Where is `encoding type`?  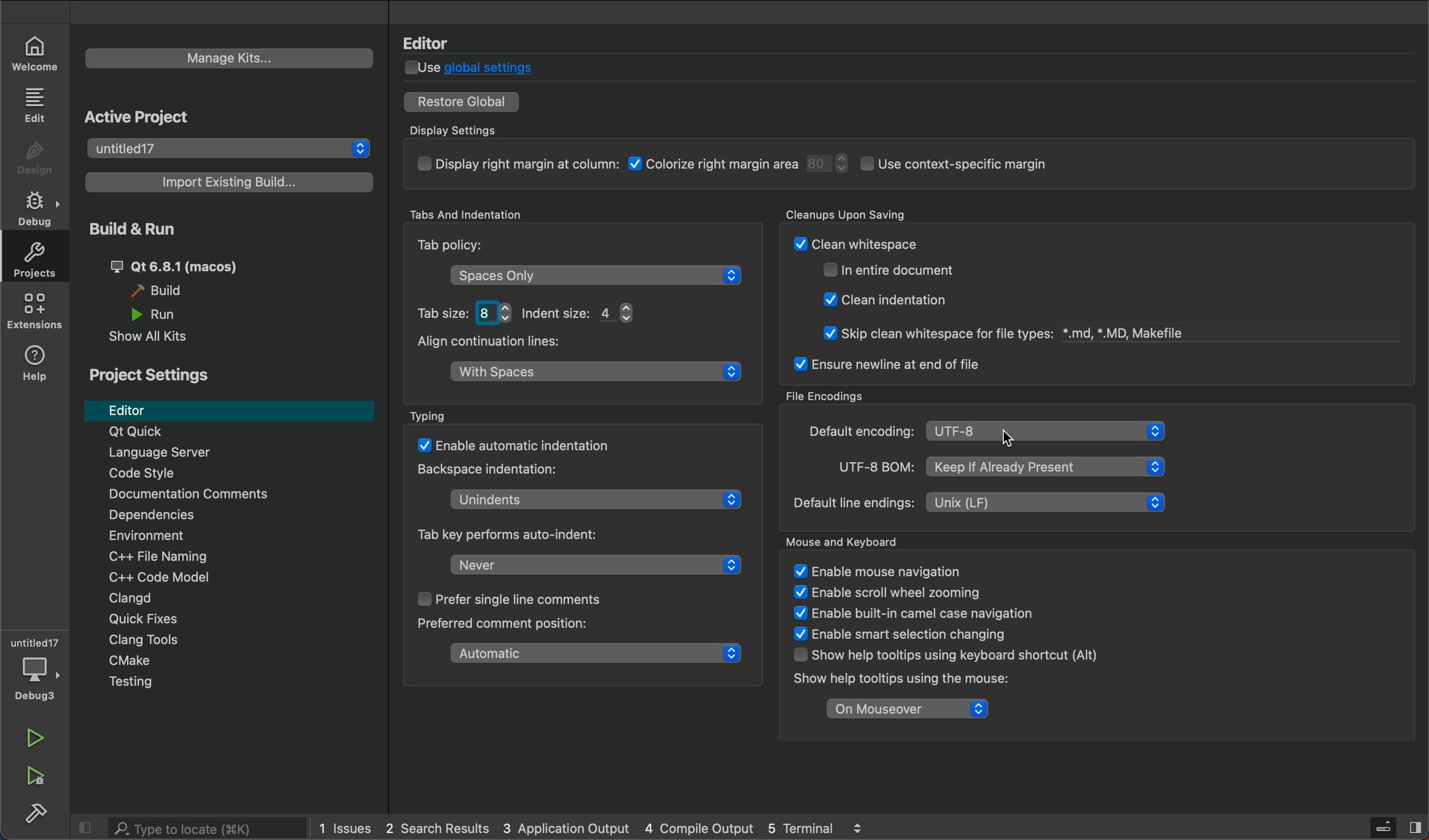 encoding type is located at coordinates (978, 430).